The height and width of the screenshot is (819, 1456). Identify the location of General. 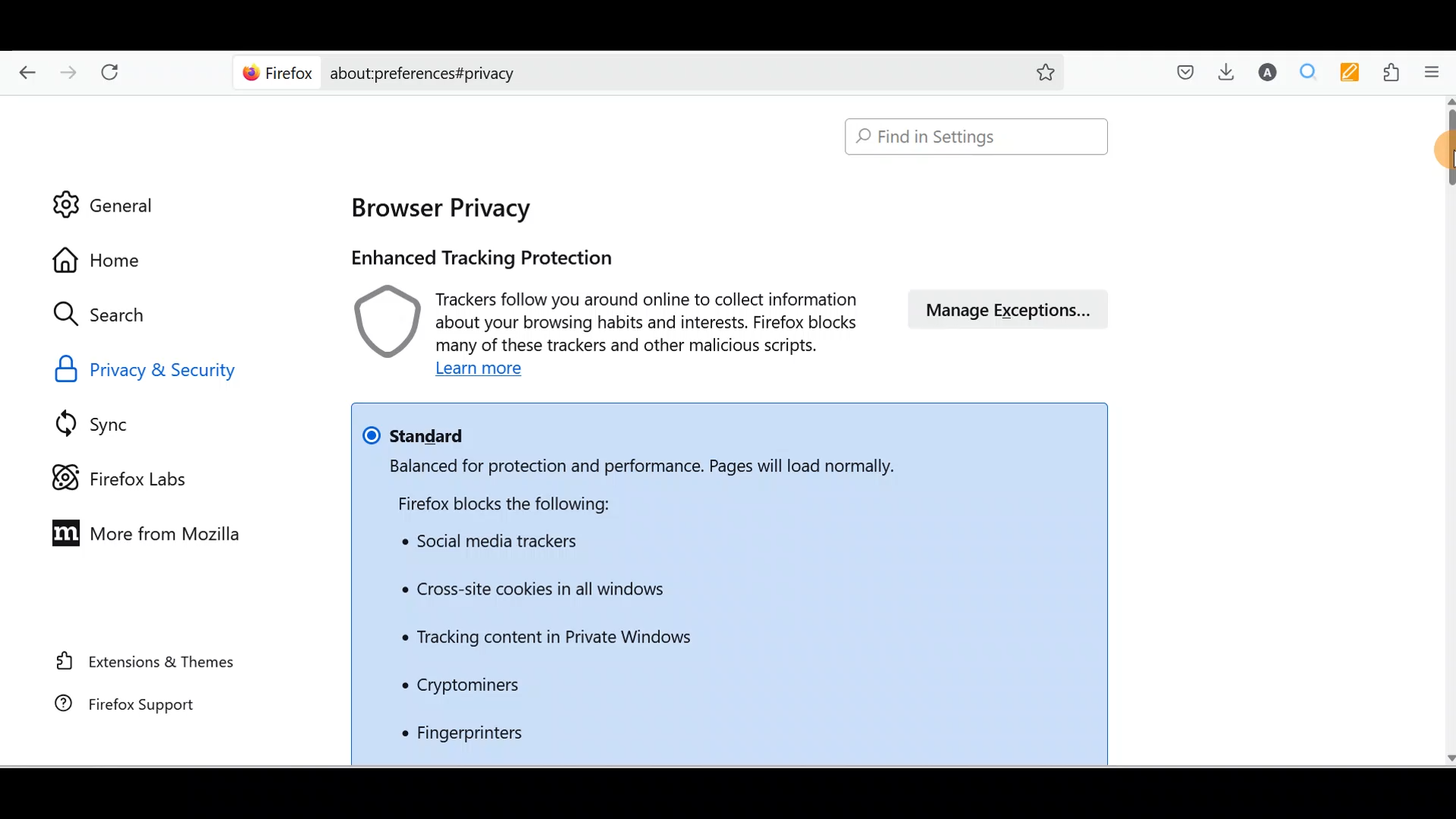
(113, 202).